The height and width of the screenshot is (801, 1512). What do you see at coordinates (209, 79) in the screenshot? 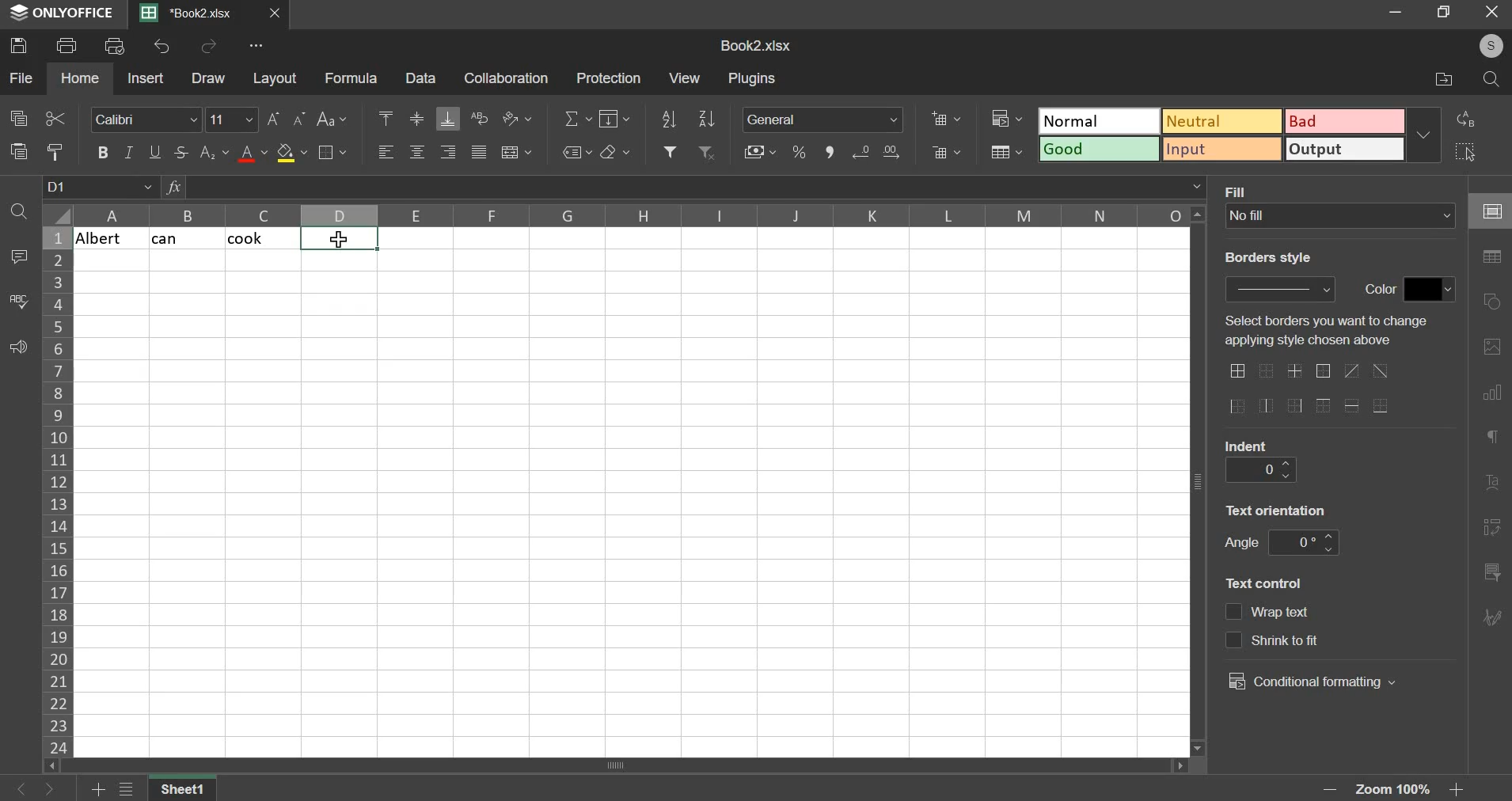
I see `draw` at bounding box center [209, 79].